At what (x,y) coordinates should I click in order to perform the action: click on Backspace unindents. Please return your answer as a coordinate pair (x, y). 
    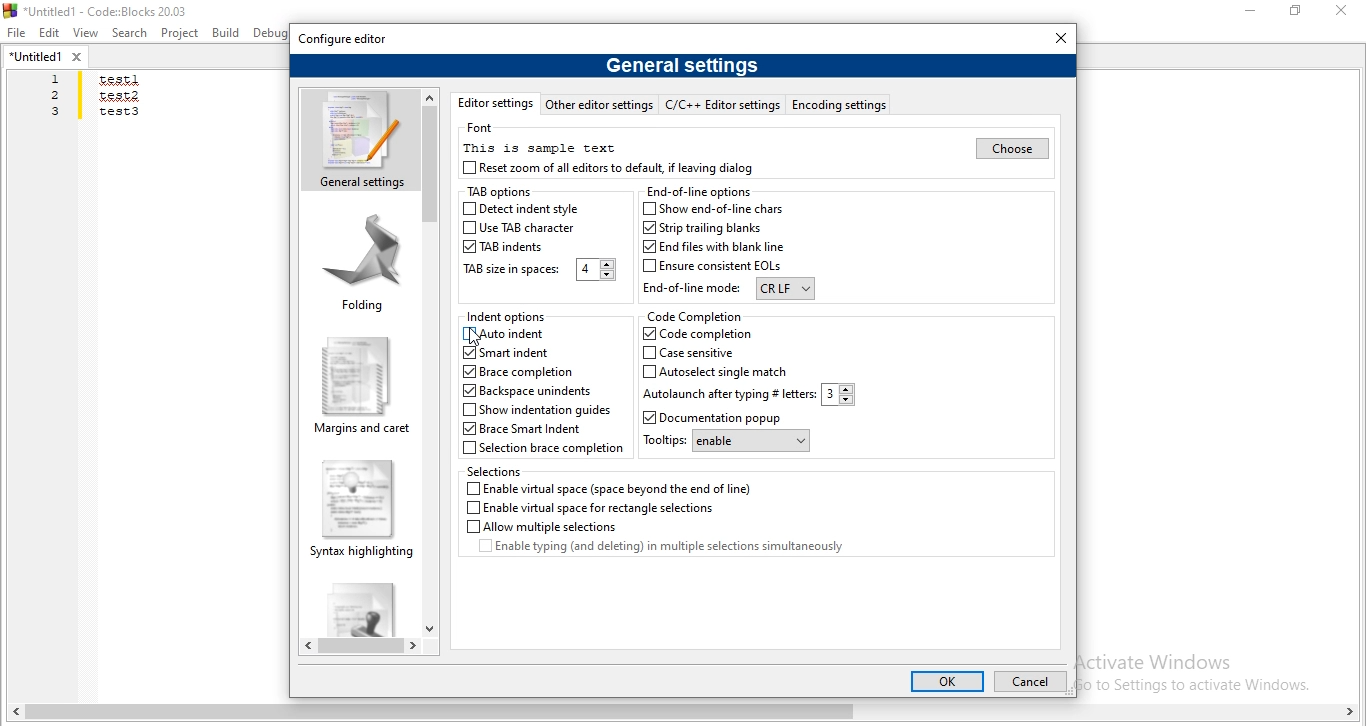
    Looking at the image, I should click on (527, 392).